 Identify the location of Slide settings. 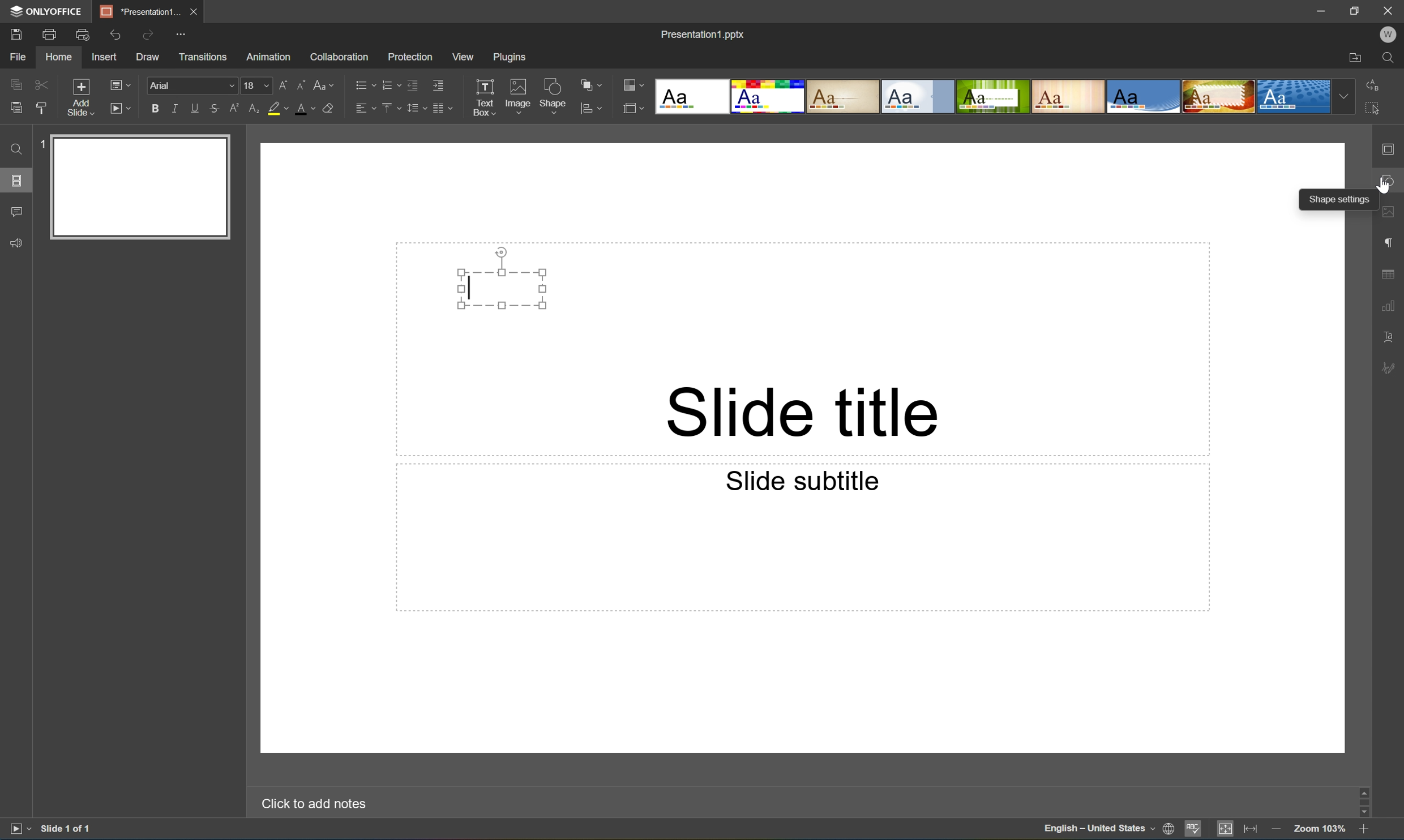
(1392, 149).